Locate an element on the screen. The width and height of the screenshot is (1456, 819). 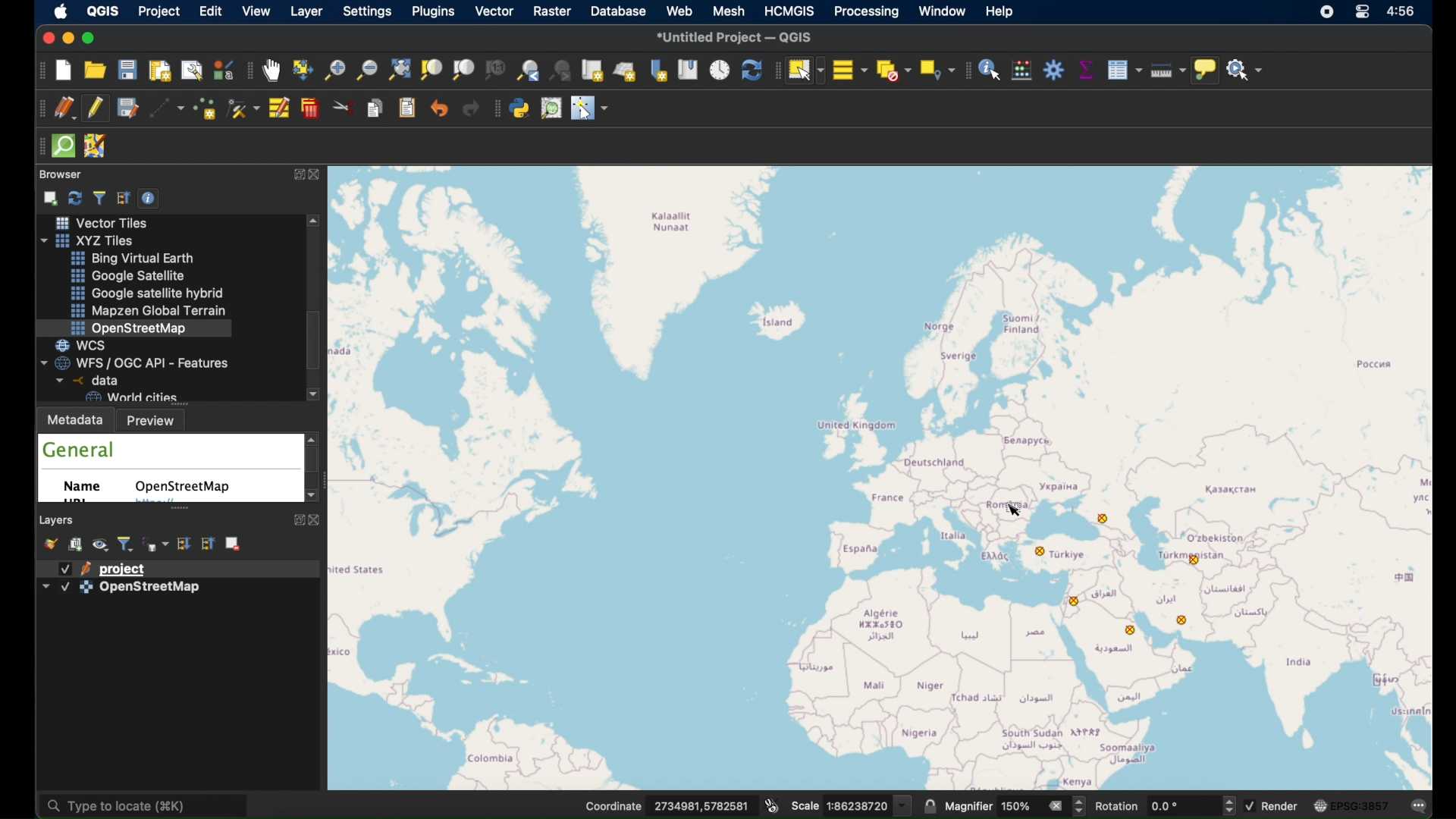
digitizing toolbar is located at coordinates (39, 108).